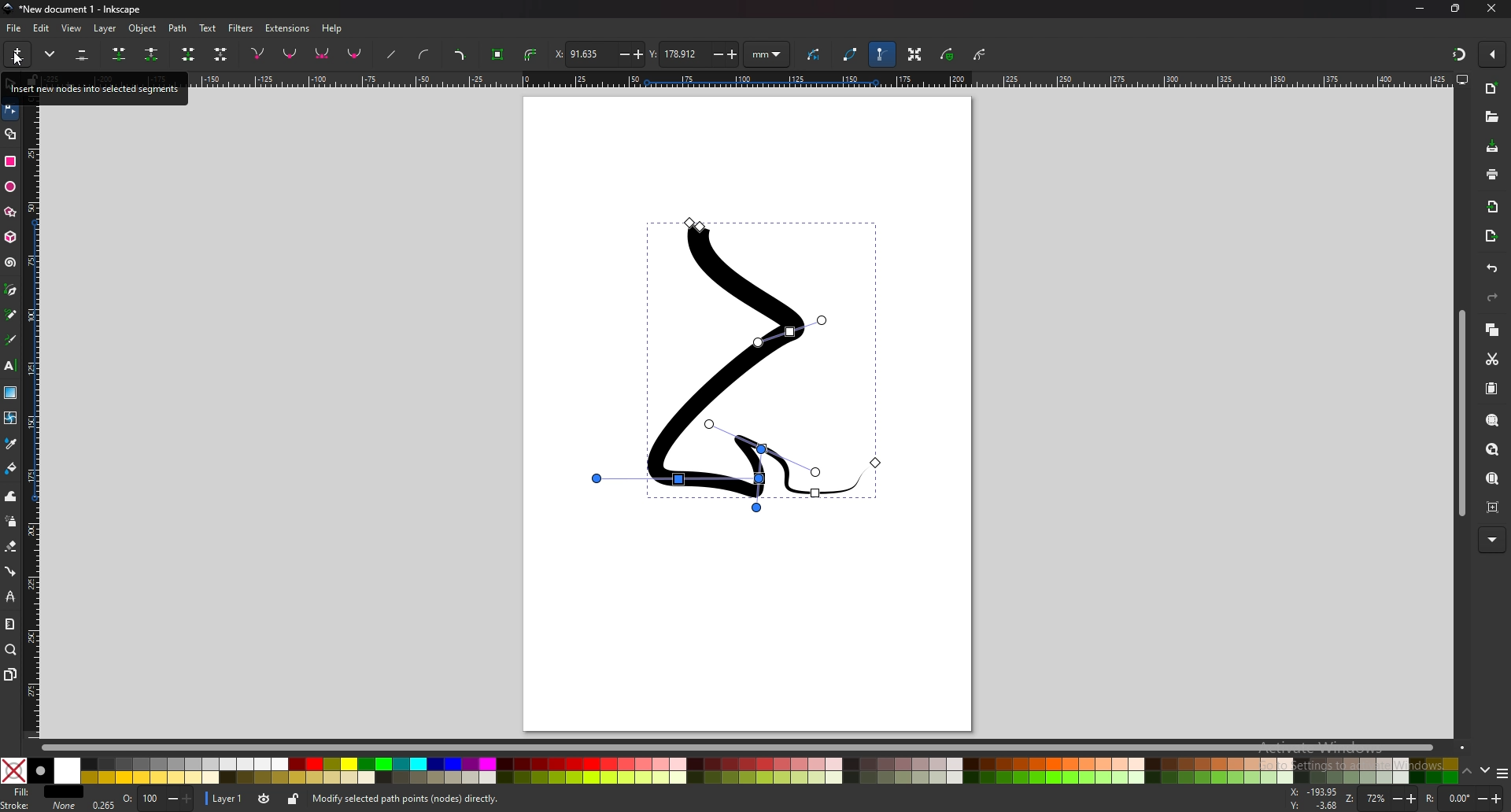 The height and width of the screenshot is (812, 1511). Describe the element at coordinates (12, 289) in the screenshot. I see `pen` at that location.